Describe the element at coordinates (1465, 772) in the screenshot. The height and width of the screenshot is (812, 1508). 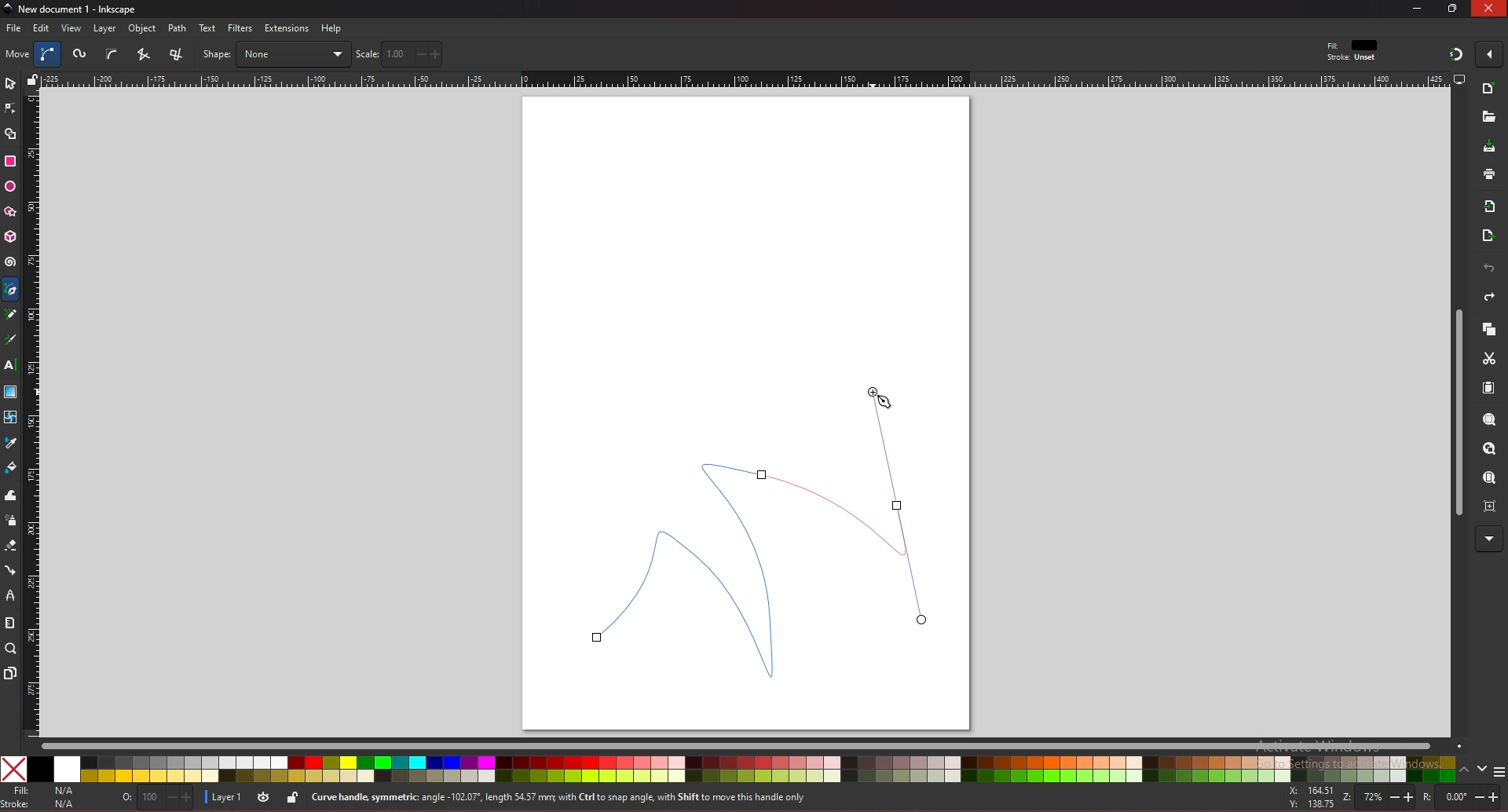
I see `up` at that location.